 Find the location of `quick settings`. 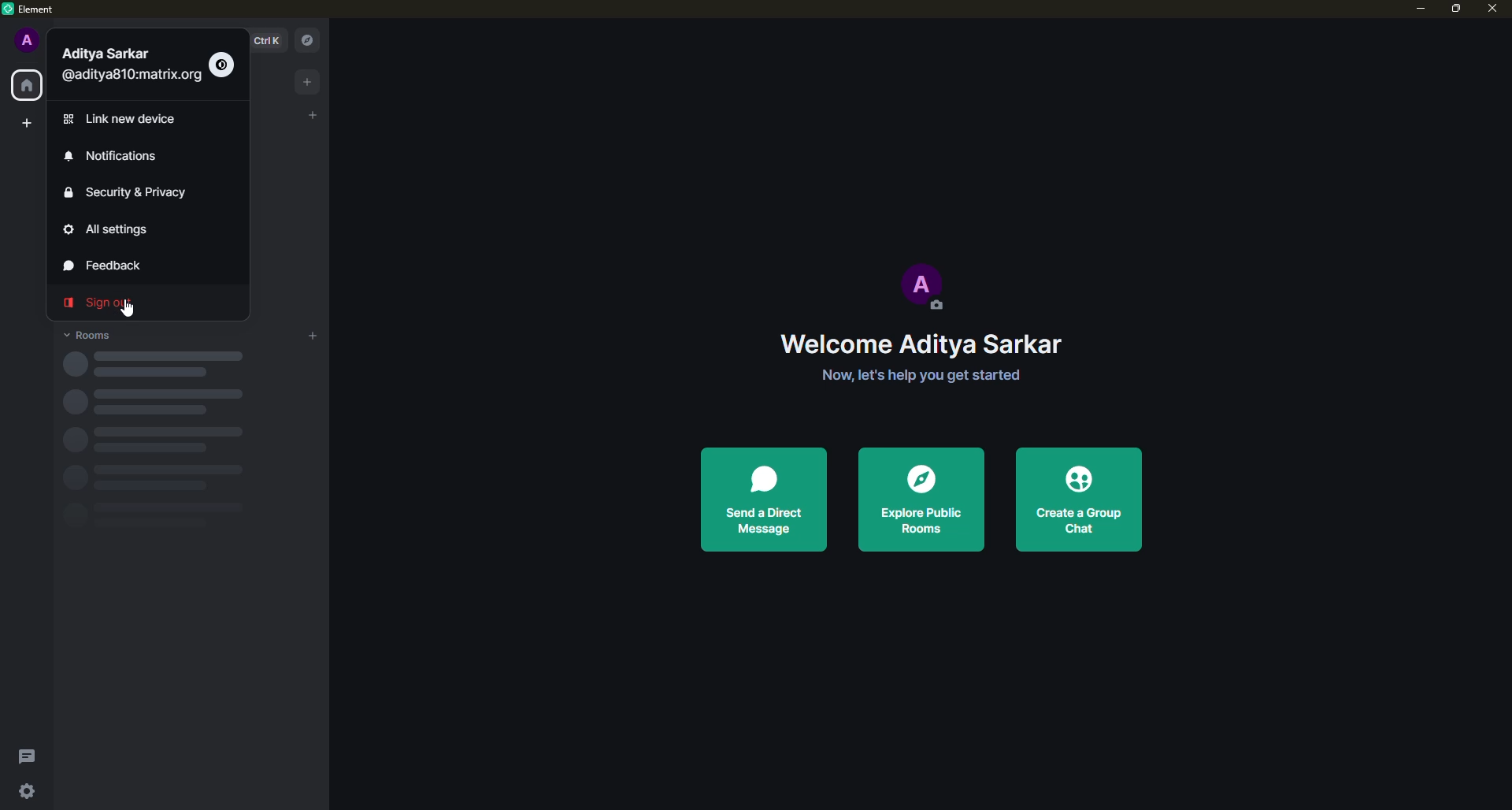

quick settings is located at coordinates (27, 790).